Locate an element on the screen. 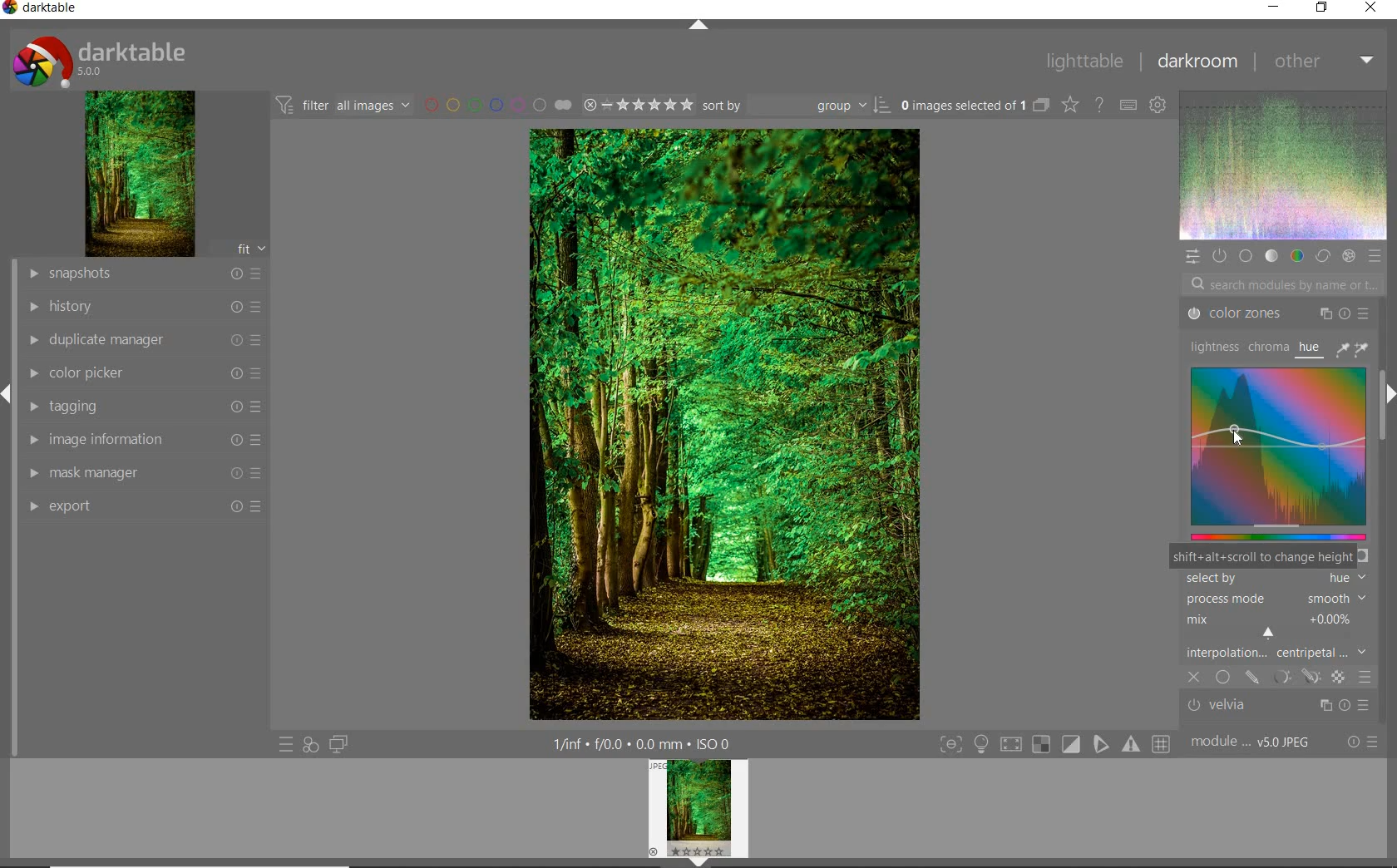 The width and height of the screenshot is (1397, 868). EFFORT is located at coordinates (146, 508).